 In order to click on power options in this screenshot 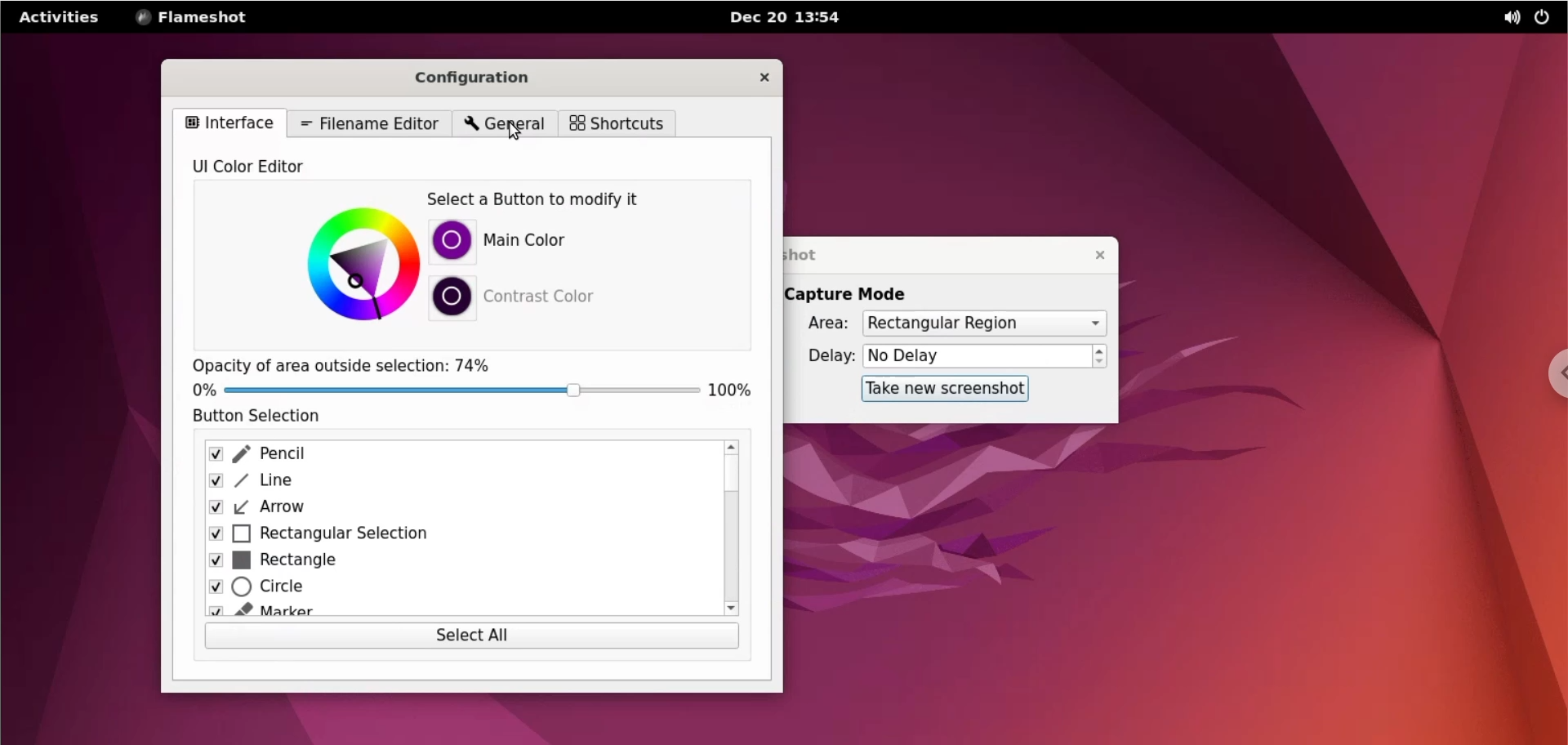, I will do `click(1542, 18)`.